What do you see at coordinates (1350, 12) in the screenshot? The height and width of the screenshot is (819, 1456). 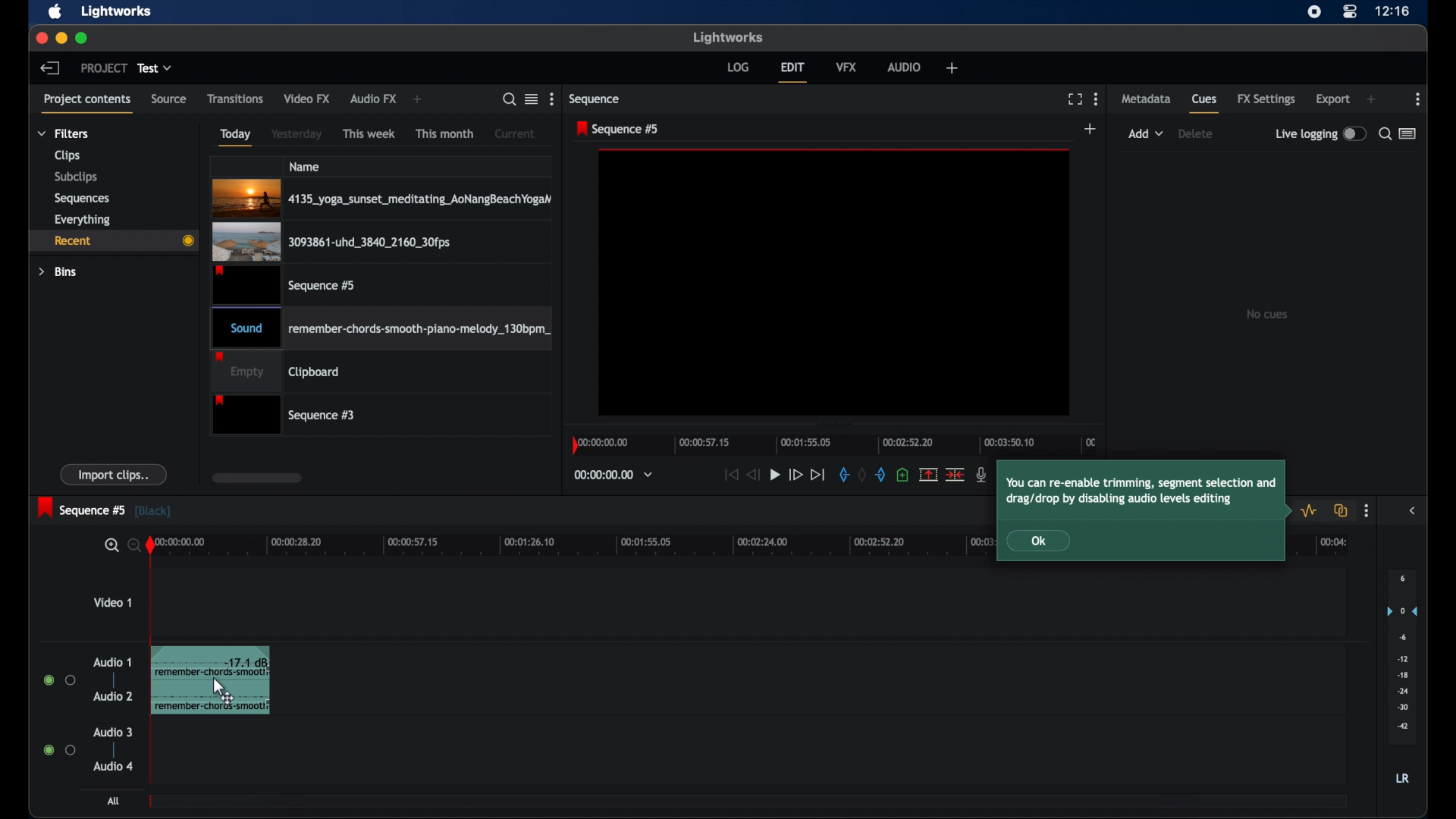 I see `control center` at bounding box center [1350, 12].